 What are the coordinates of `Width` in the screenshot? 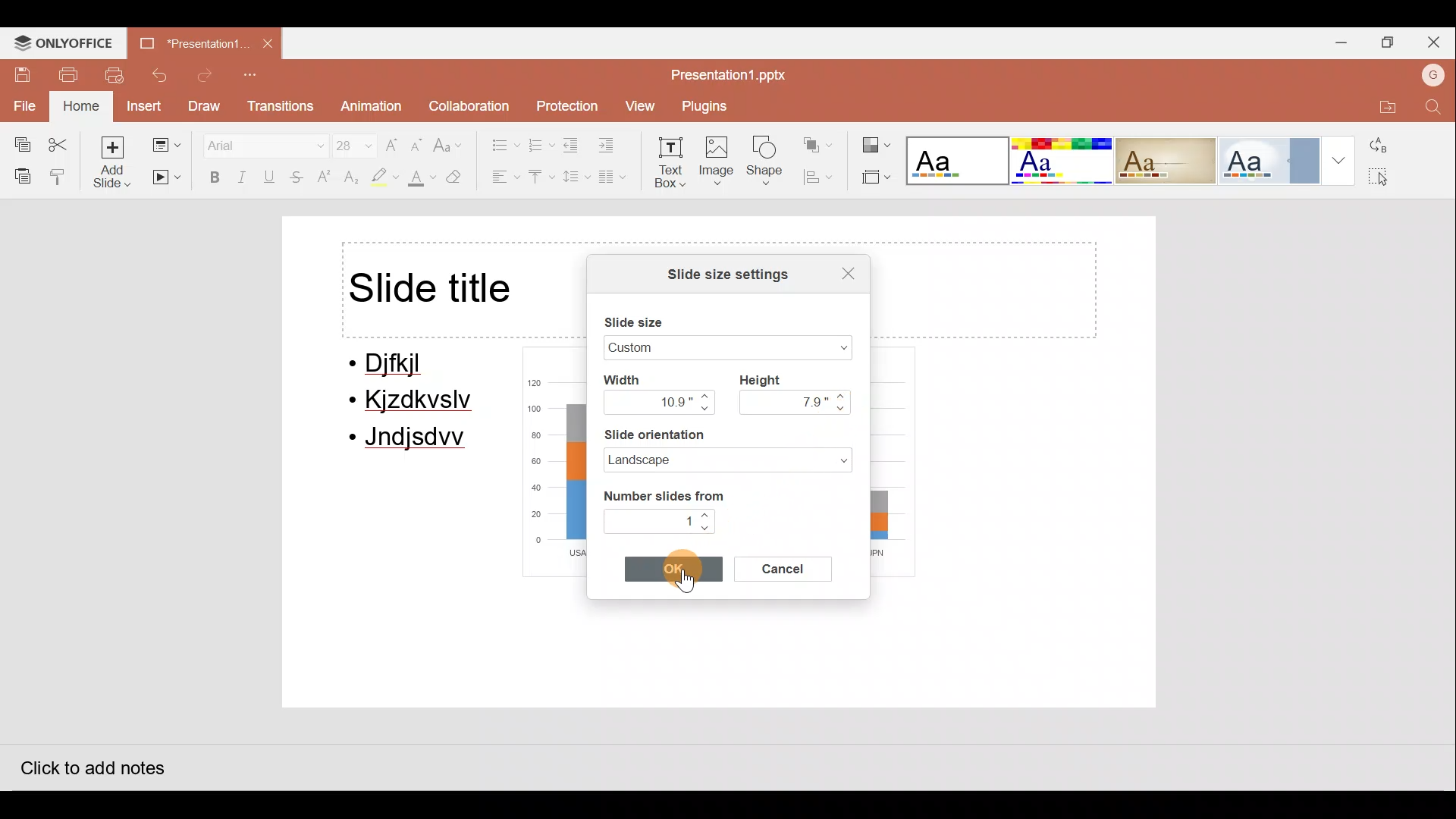 It's located at (635, 378).